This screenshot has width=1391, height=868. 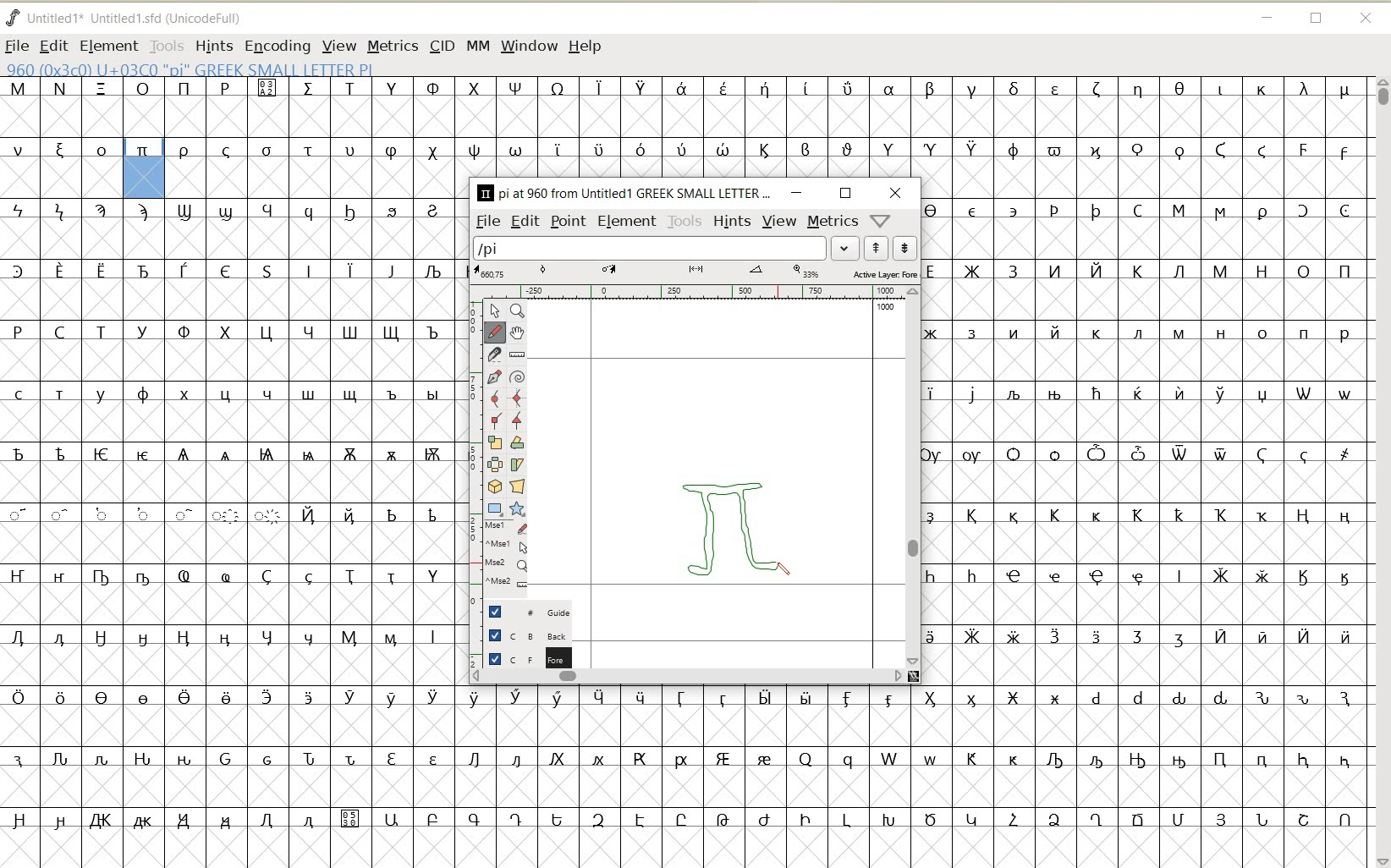 What do you see at coordinates (168, 45) in the screenshot?
I see `TOOLS` at bounding box center [168, 45].